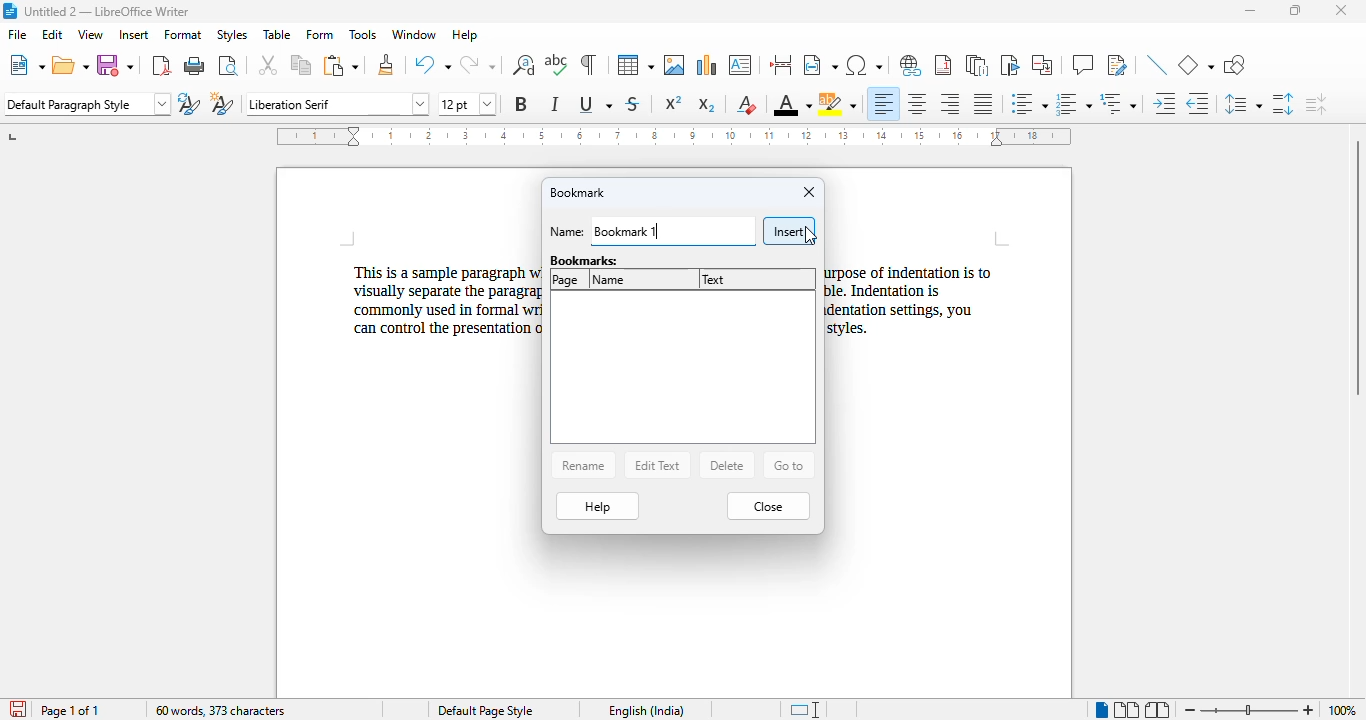  I want to click on close, so click(768, 507).